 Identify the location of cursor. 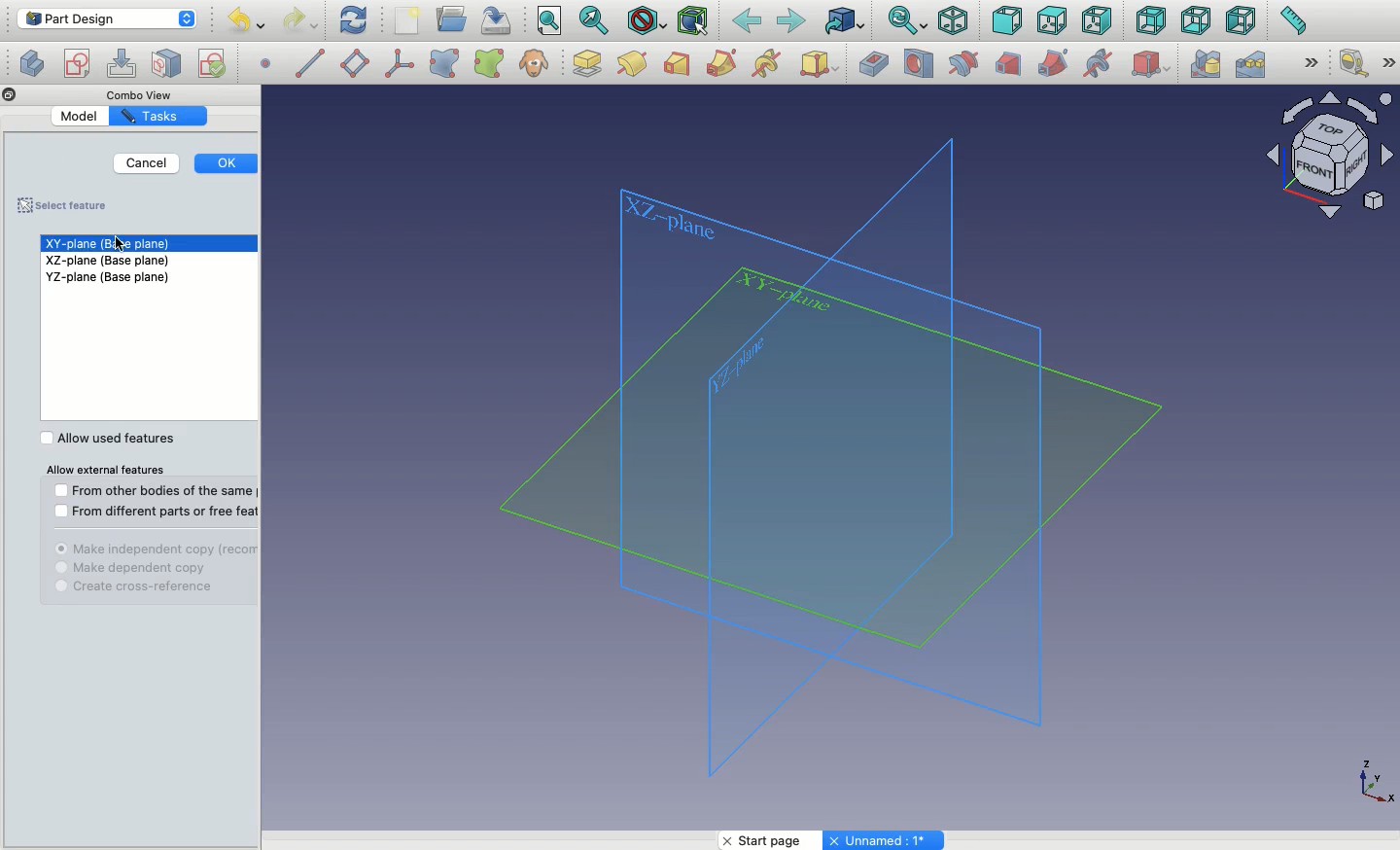
(124, 244).